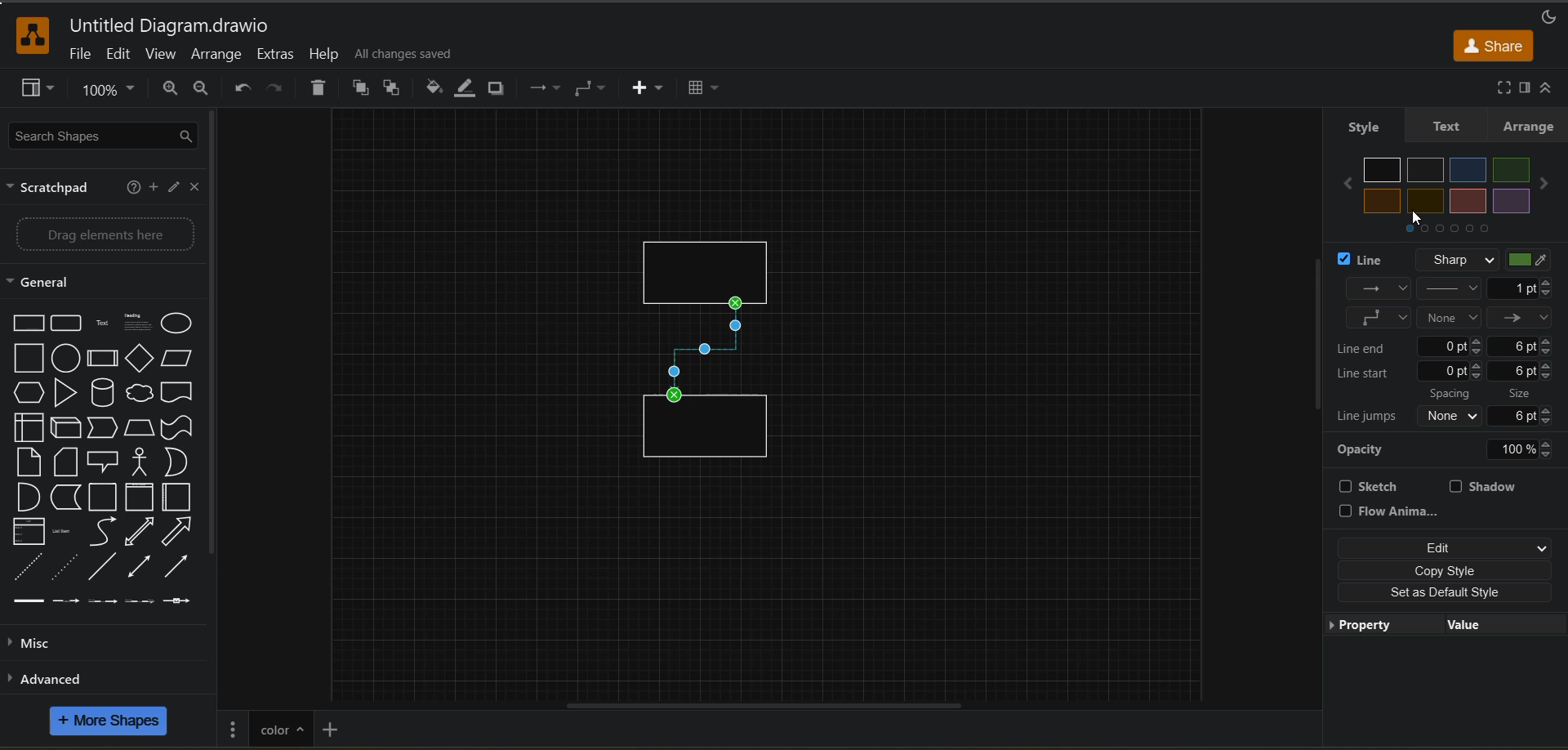 This screenshot has height=750, width=1568. Describe the element at coordinates (332, 728) in the screenshot. I see `insert page` at that location.